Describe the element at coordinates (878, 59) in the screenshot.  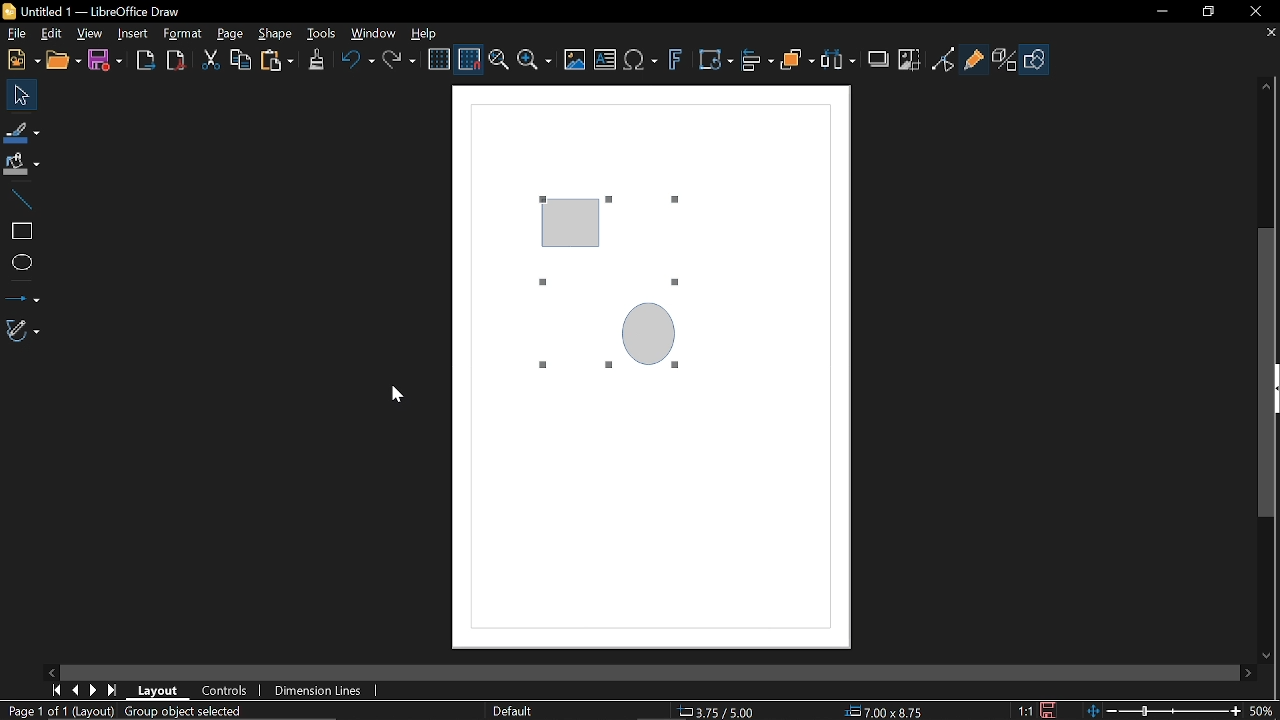
I see `Shadow` at that location.